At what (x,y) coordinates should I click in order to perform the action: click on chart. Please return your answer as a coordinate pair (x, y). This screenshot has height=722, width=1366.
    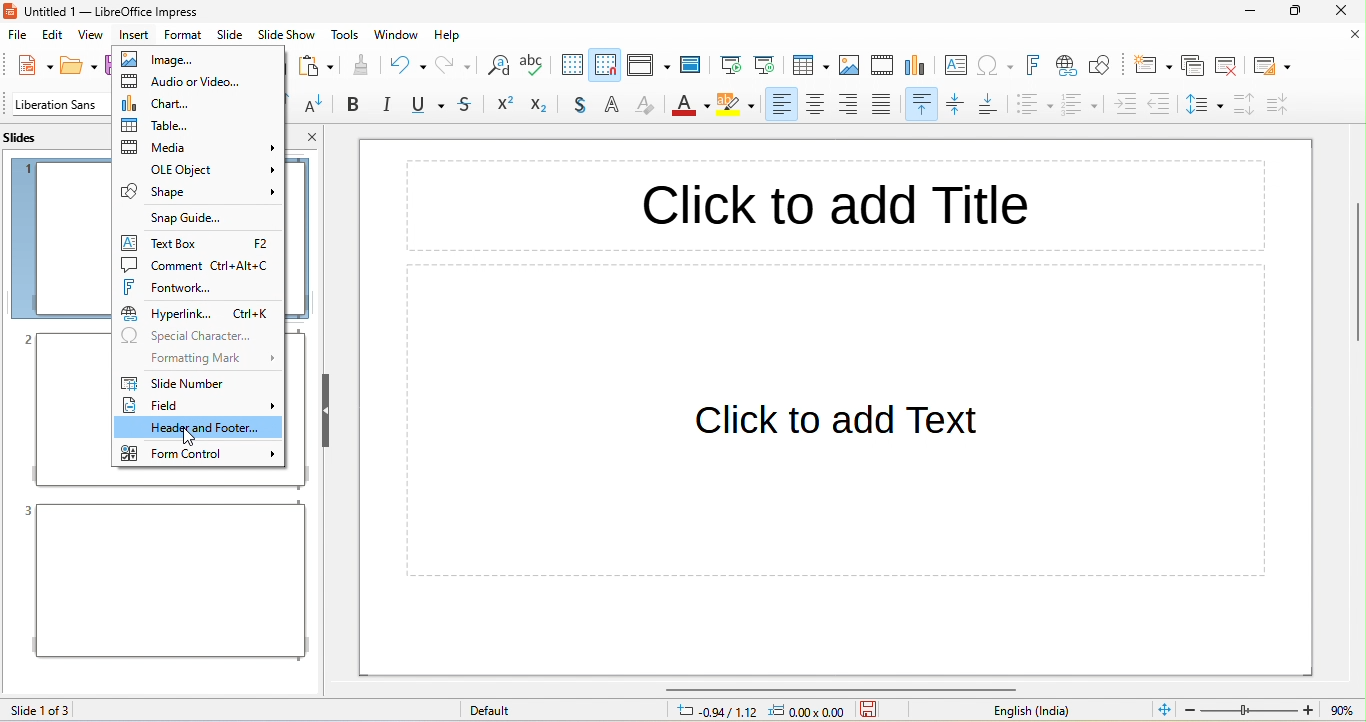
    Looking at the image, I should click on (163, 104).